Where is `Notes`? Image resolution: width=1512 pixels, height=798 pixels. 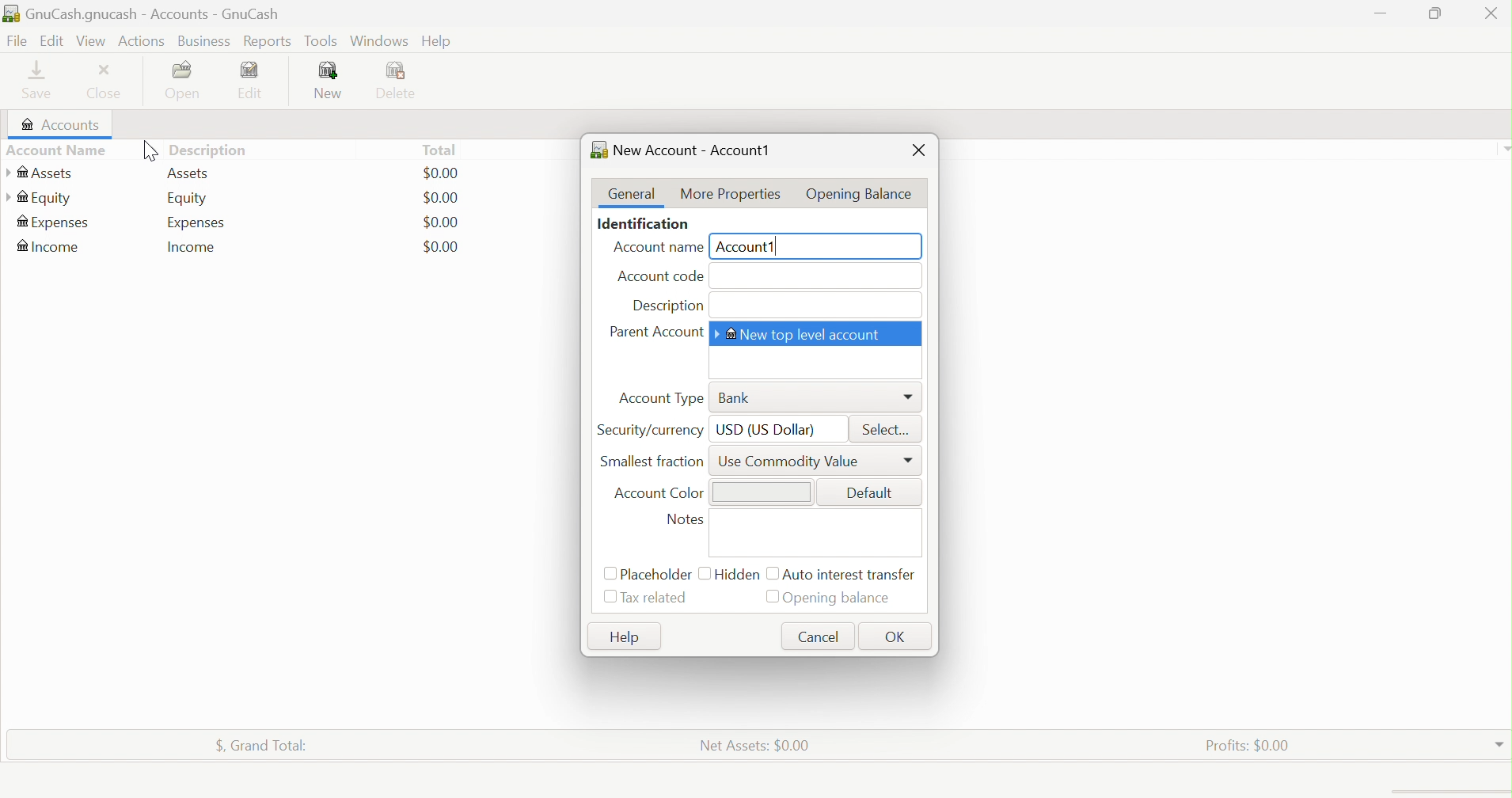
Notes is located at coordinates (689, 521).